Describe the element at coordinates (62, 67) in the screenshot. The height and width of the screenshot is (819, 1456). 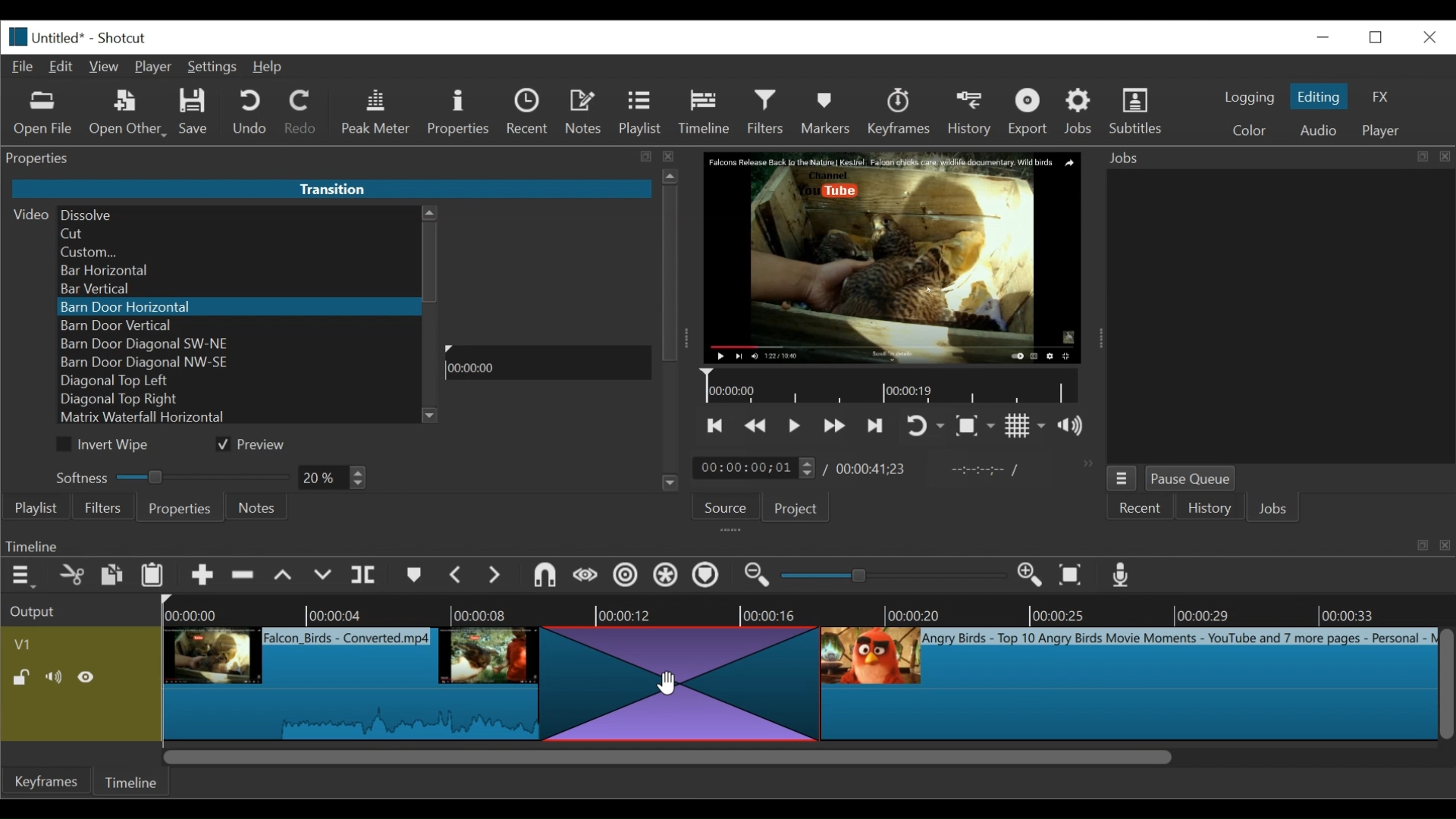
I see `Edit` at that location.